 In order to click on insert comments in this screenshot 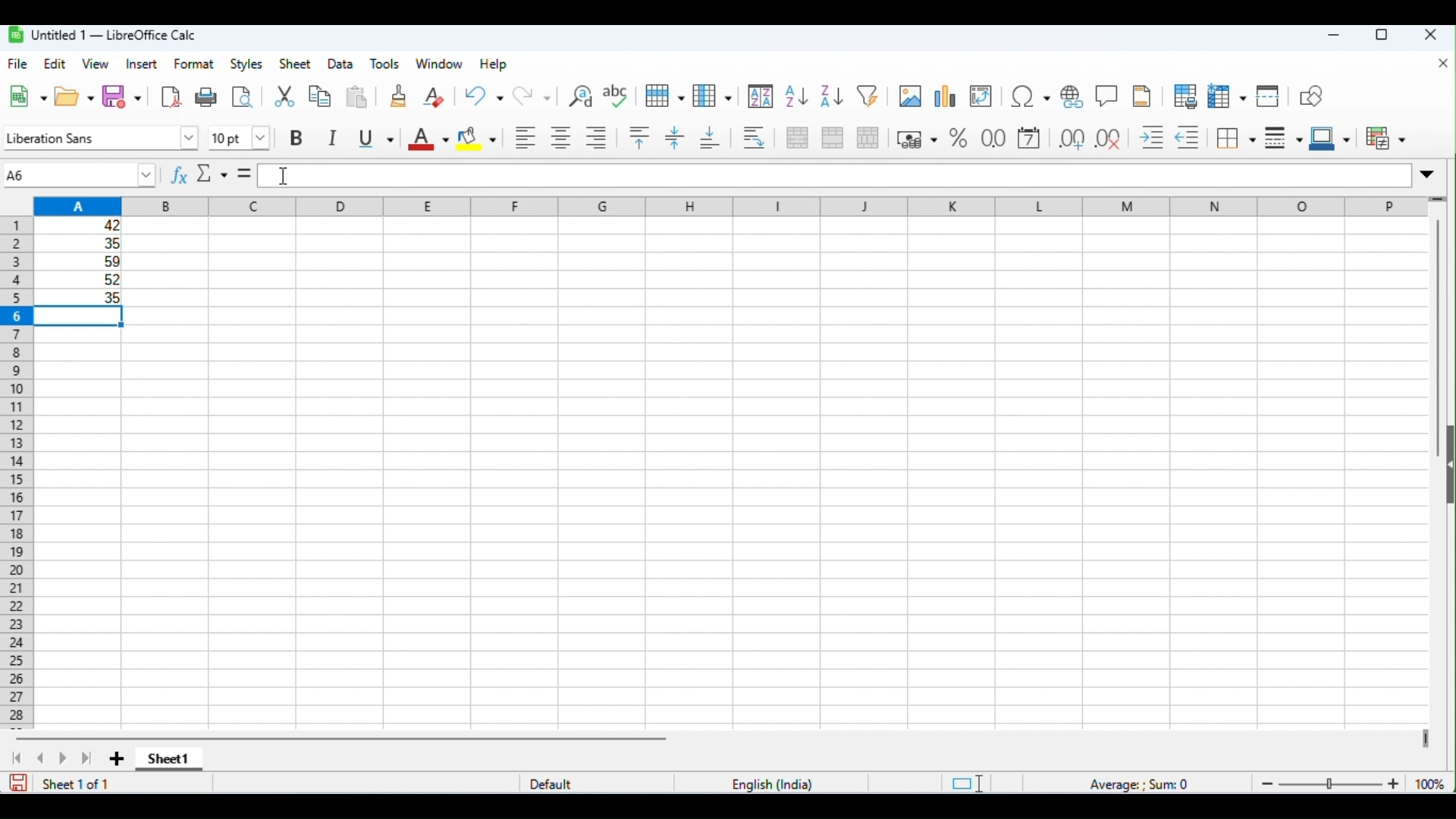, I will do `click(1106, 96)`.